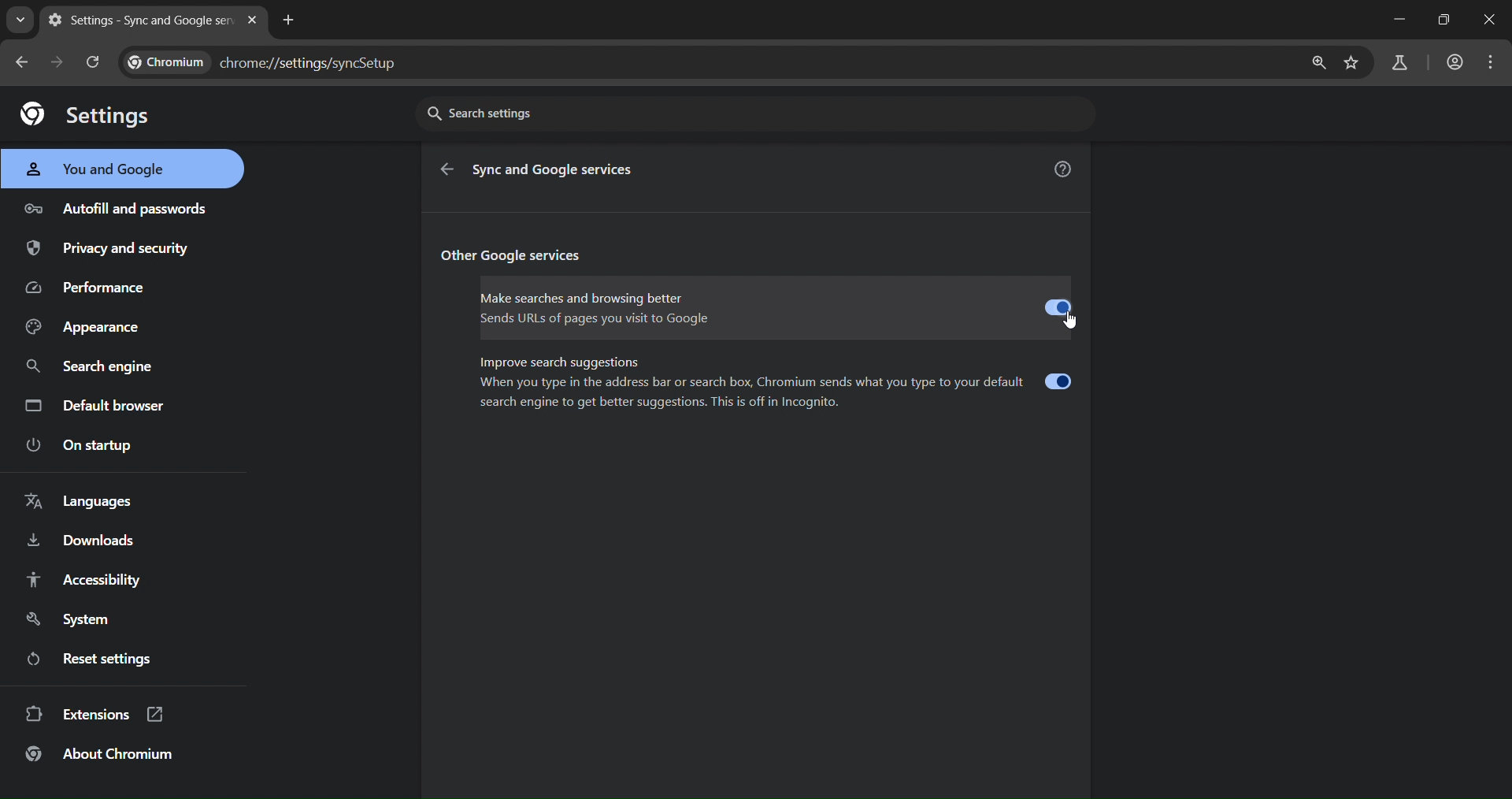  Describe the element at coordinates (95, 714) in the screenshot. I see `extensions` at that location.